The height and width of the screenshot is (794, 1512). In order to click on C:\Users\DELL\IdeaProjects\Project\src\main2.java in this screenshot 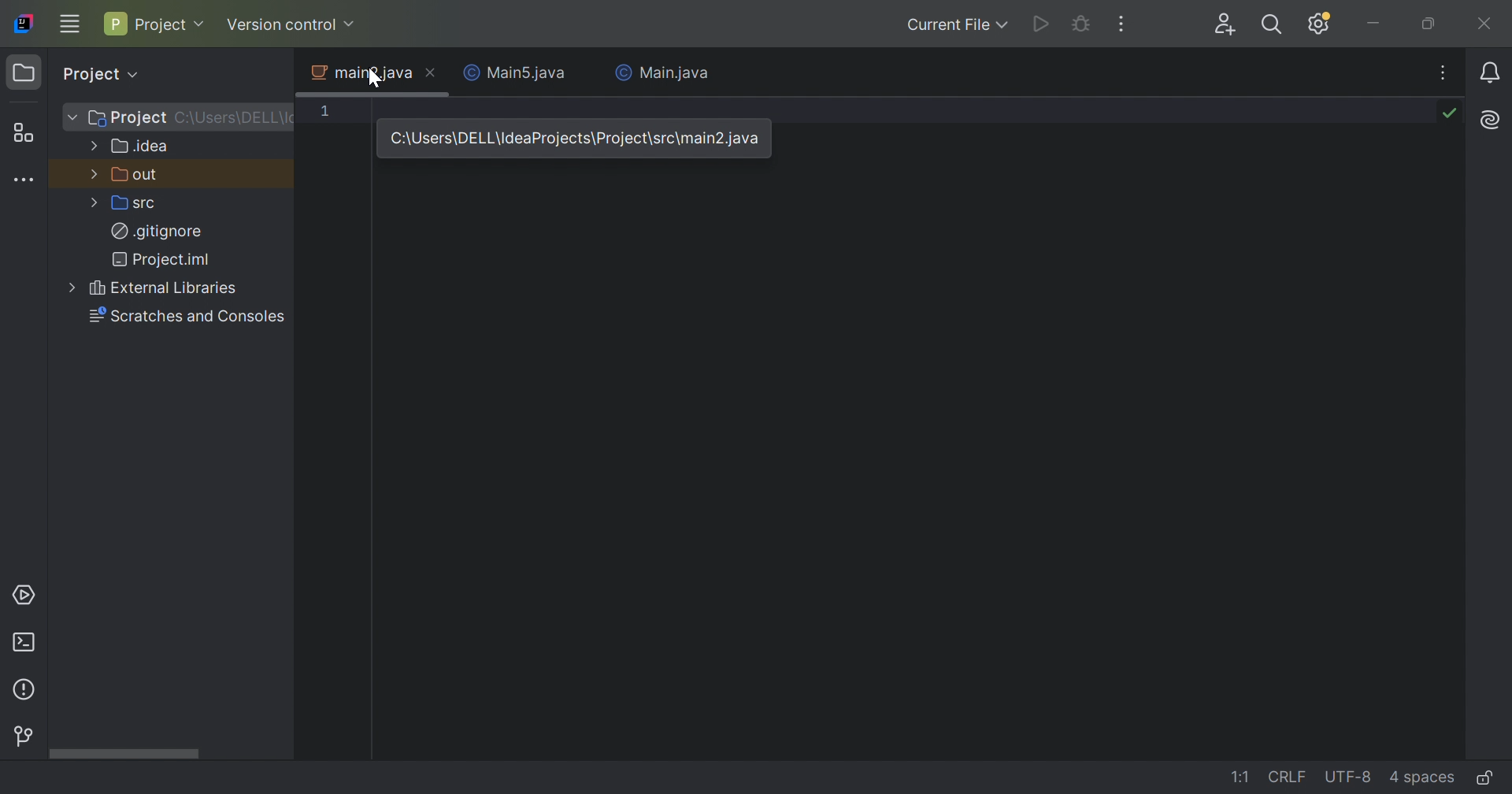, I will do `click(572, 138)`.